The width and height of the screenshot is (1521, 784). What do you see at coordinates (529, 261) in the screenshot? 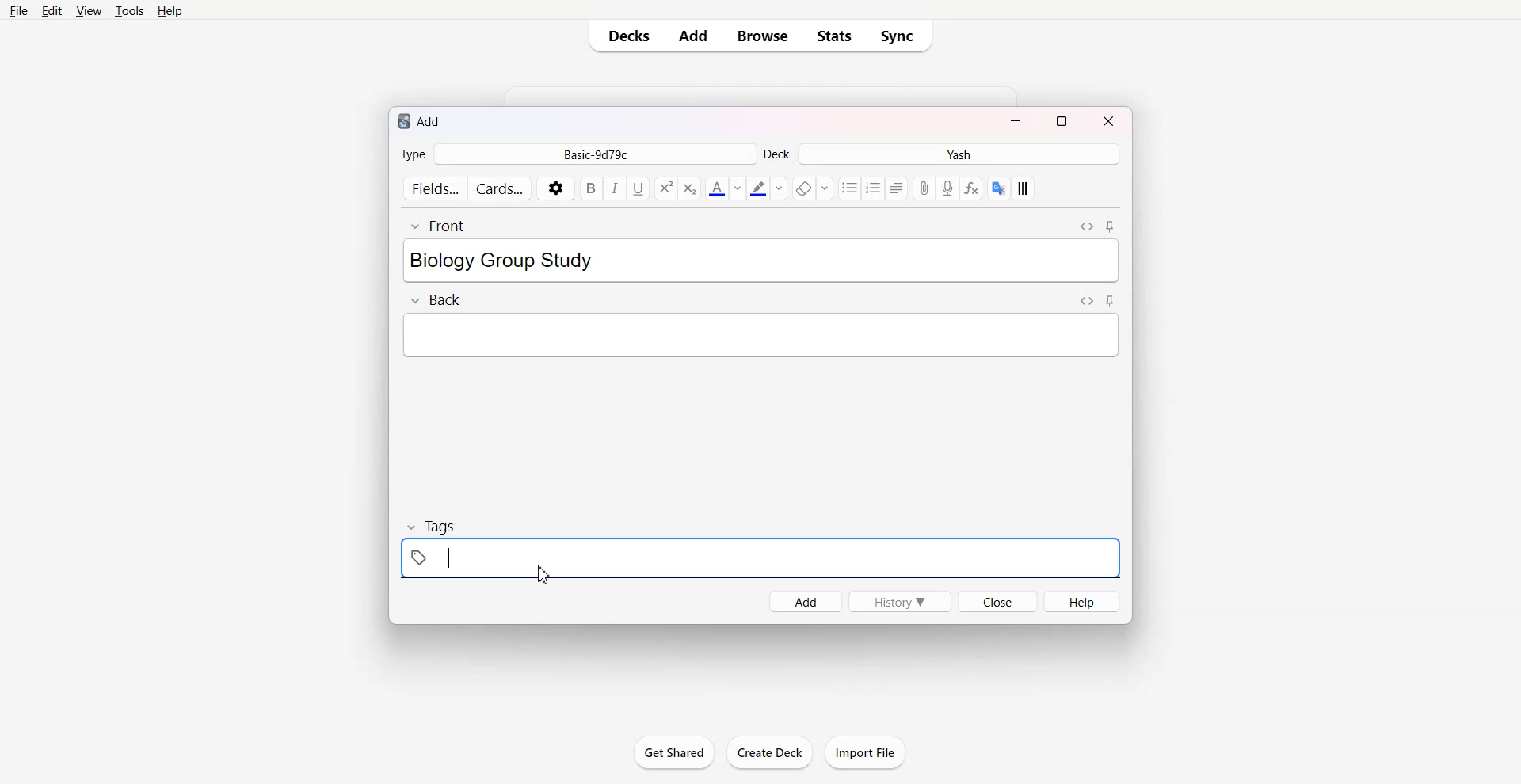
I see `Text - biology group study` at bounding box center [529, 261].